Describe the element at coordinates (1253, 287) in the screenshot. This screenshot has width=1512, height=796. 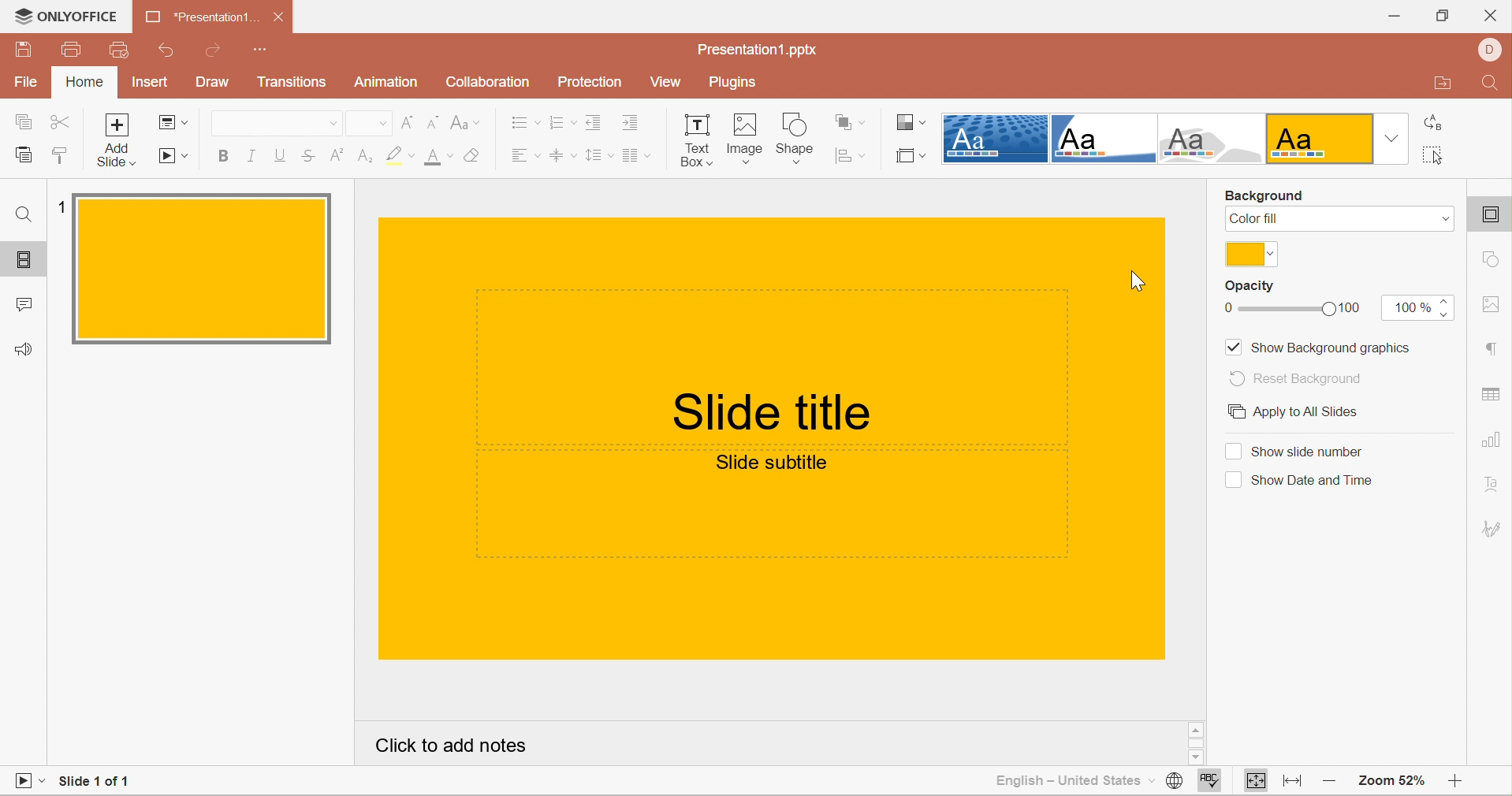
I see `Opacity` at that location.